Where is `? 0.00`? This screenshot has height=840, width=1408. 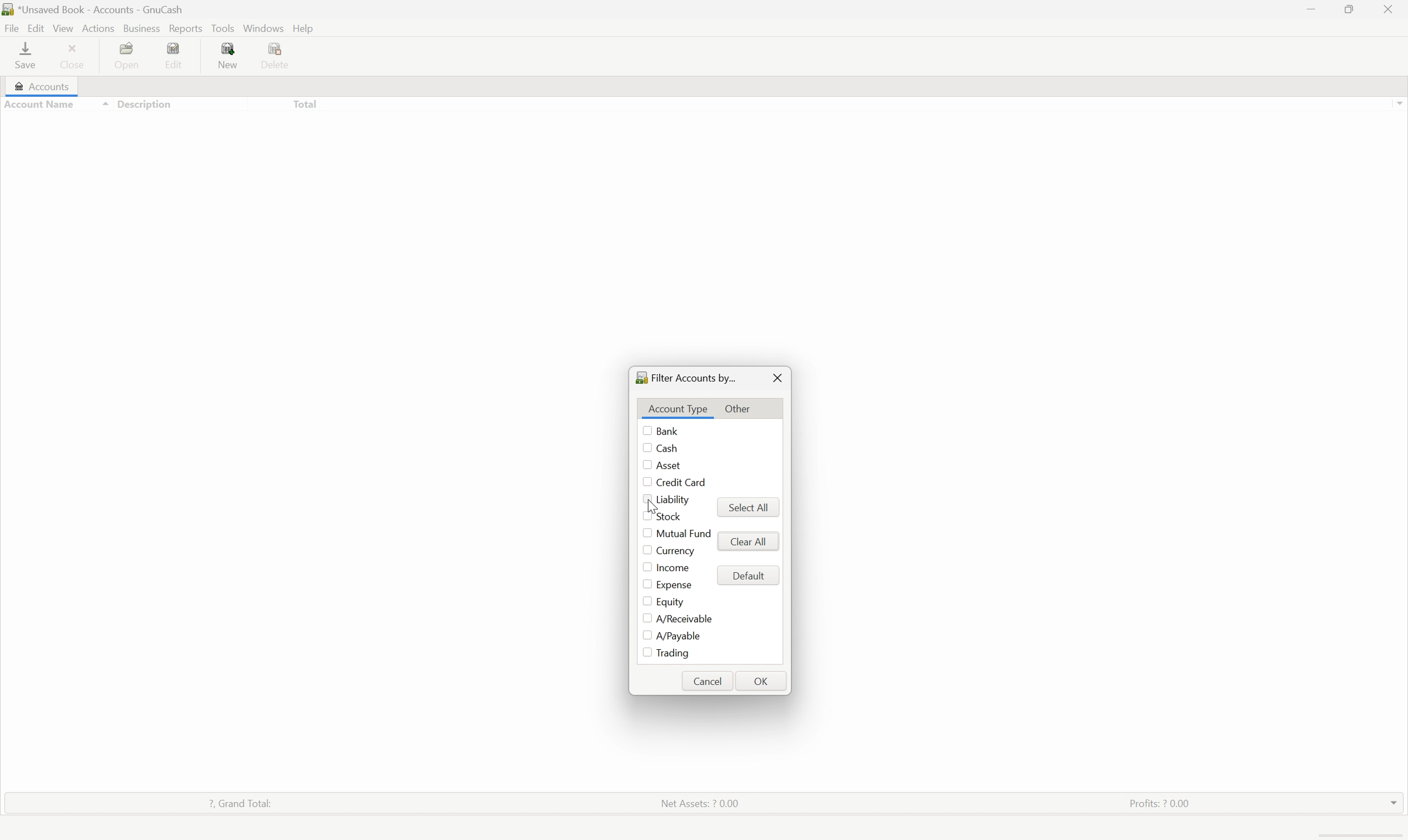 ? 0.00 is located at coordinates (306, 138).